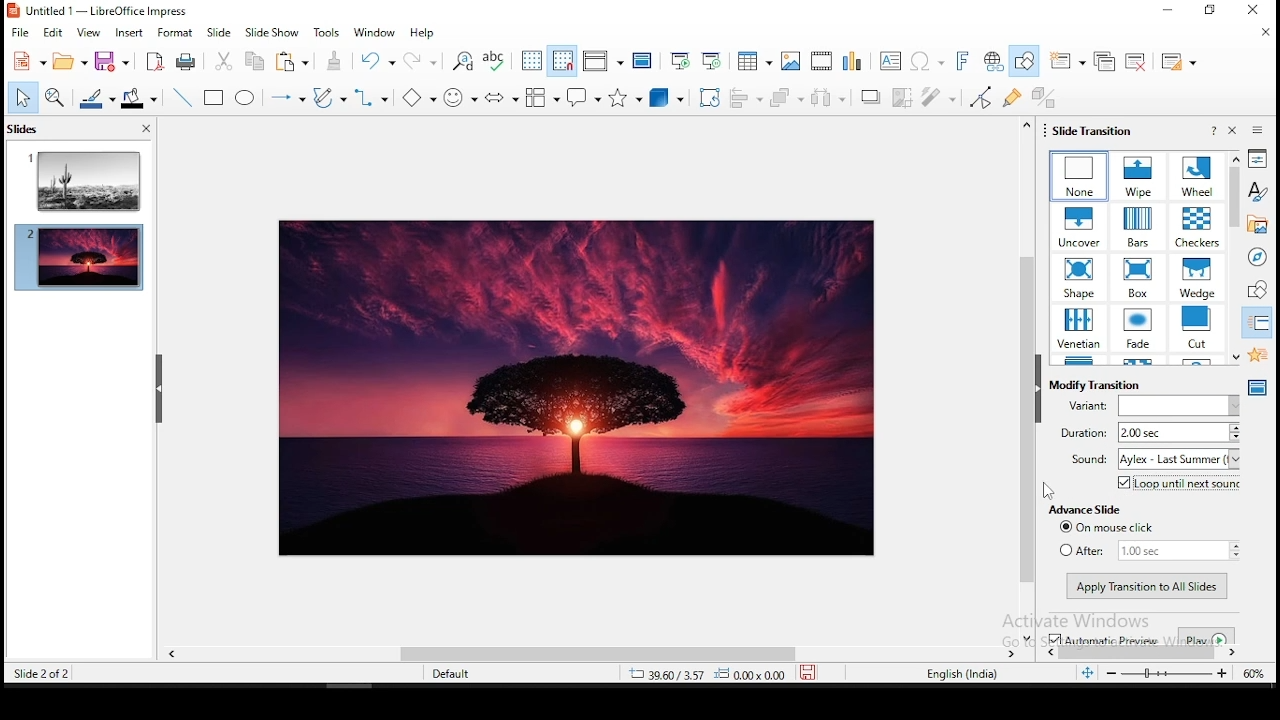 The image size is (1280, 720). Describe the element at coordinates (822, 60) in the screenshot. I see `insert audio and video` at that location.